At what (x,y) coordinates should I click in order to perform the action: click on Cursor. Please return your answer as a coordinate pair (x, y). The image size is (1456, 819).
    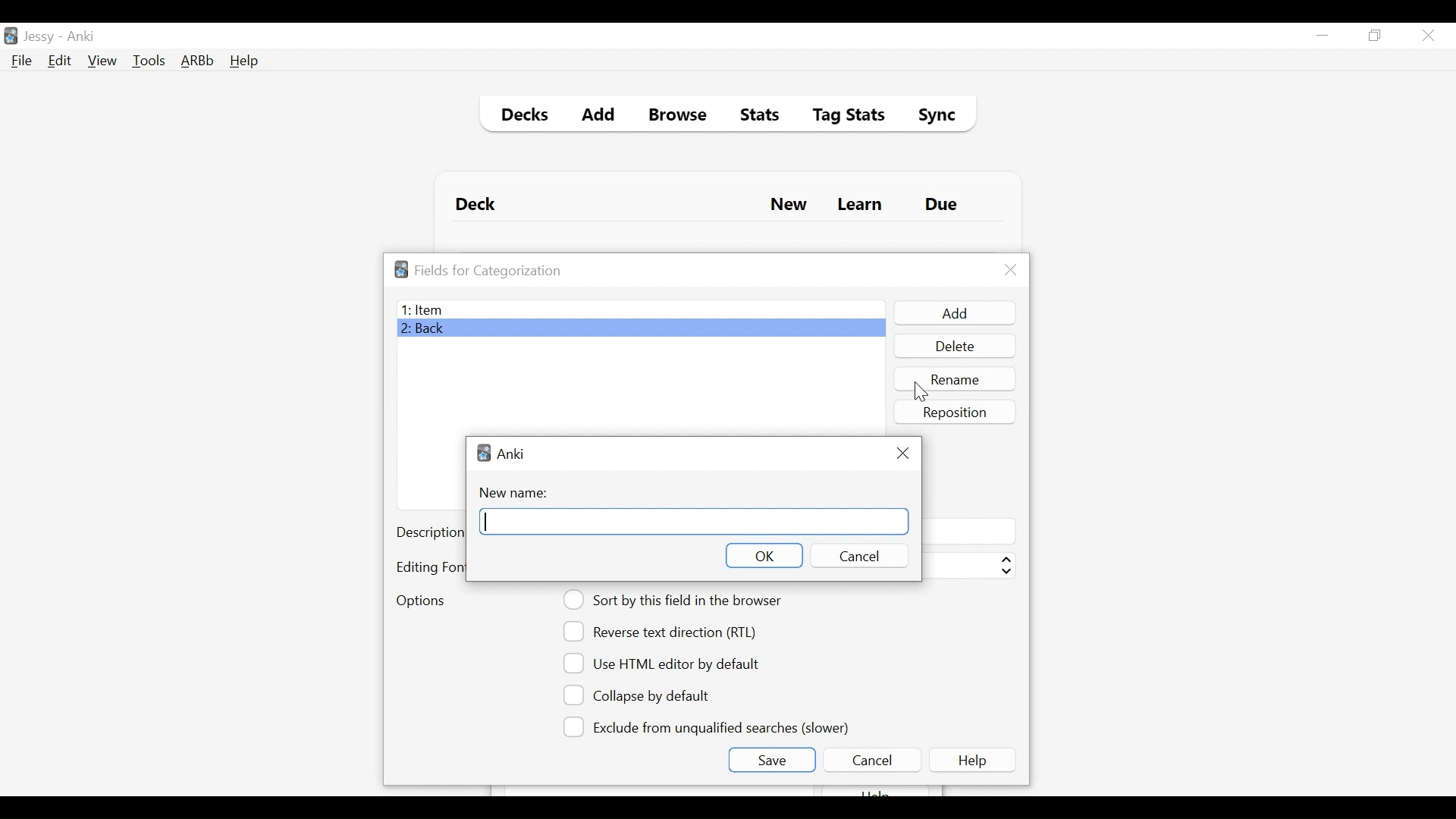
    Looking at the image, I should click on (917, 394).